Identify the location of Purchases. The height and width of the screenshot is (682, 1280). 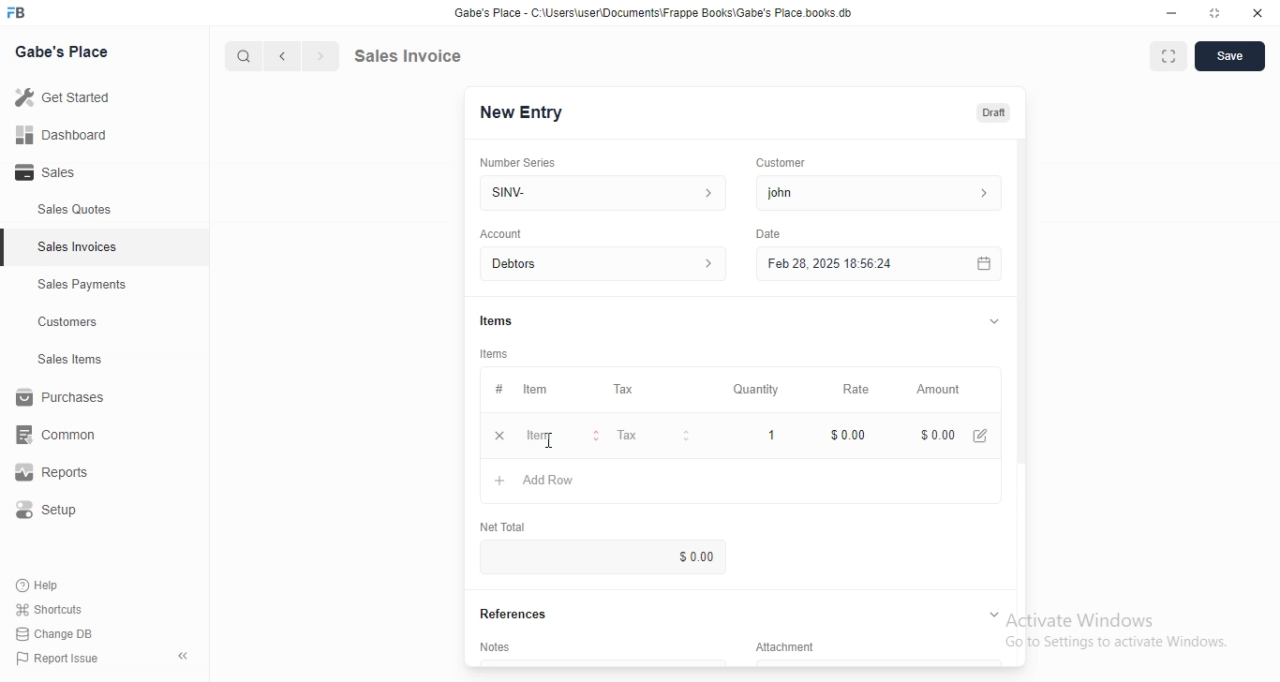
(64, 400).